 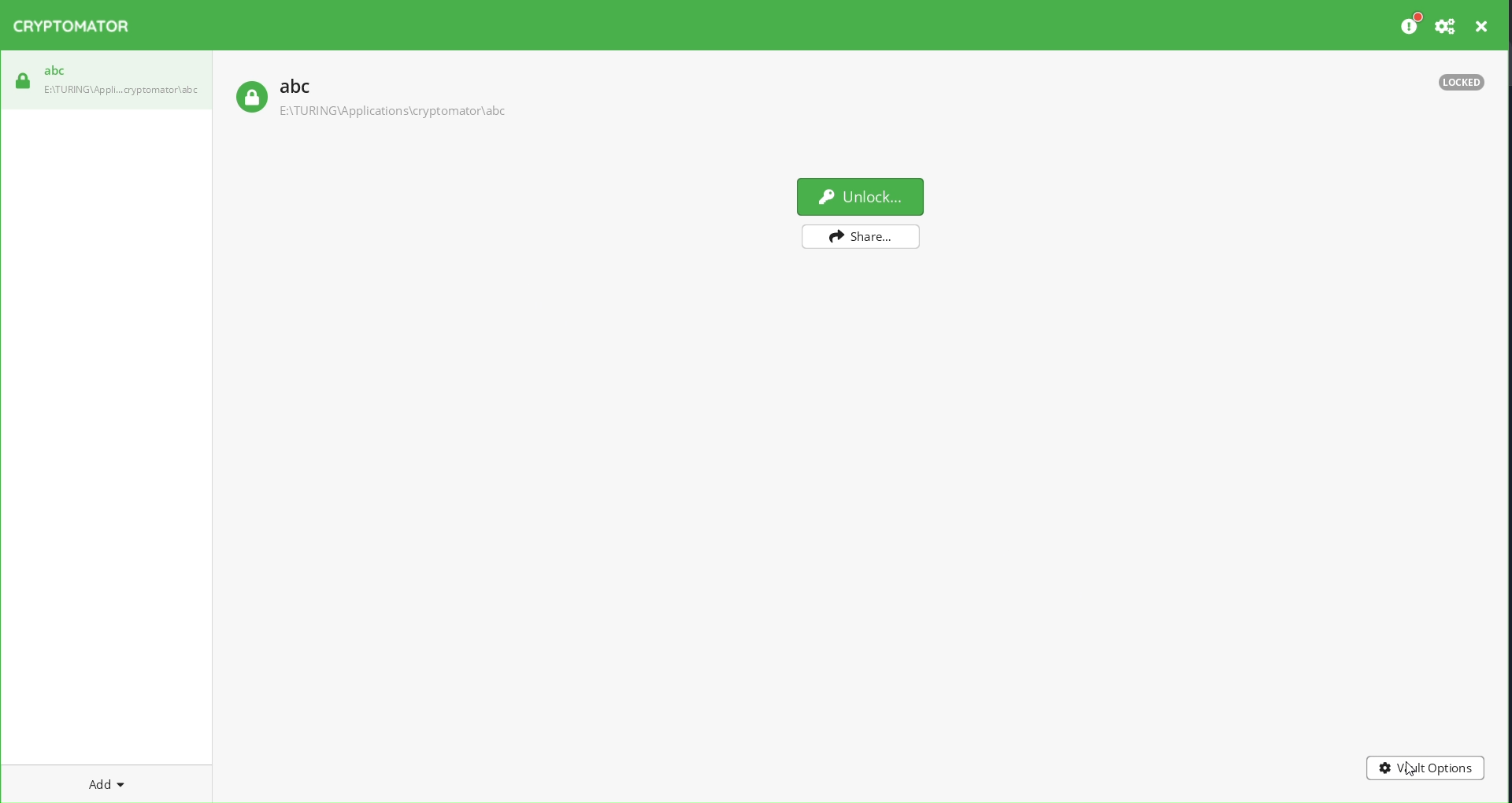 I want to click on add, so click(x=97, y=782).